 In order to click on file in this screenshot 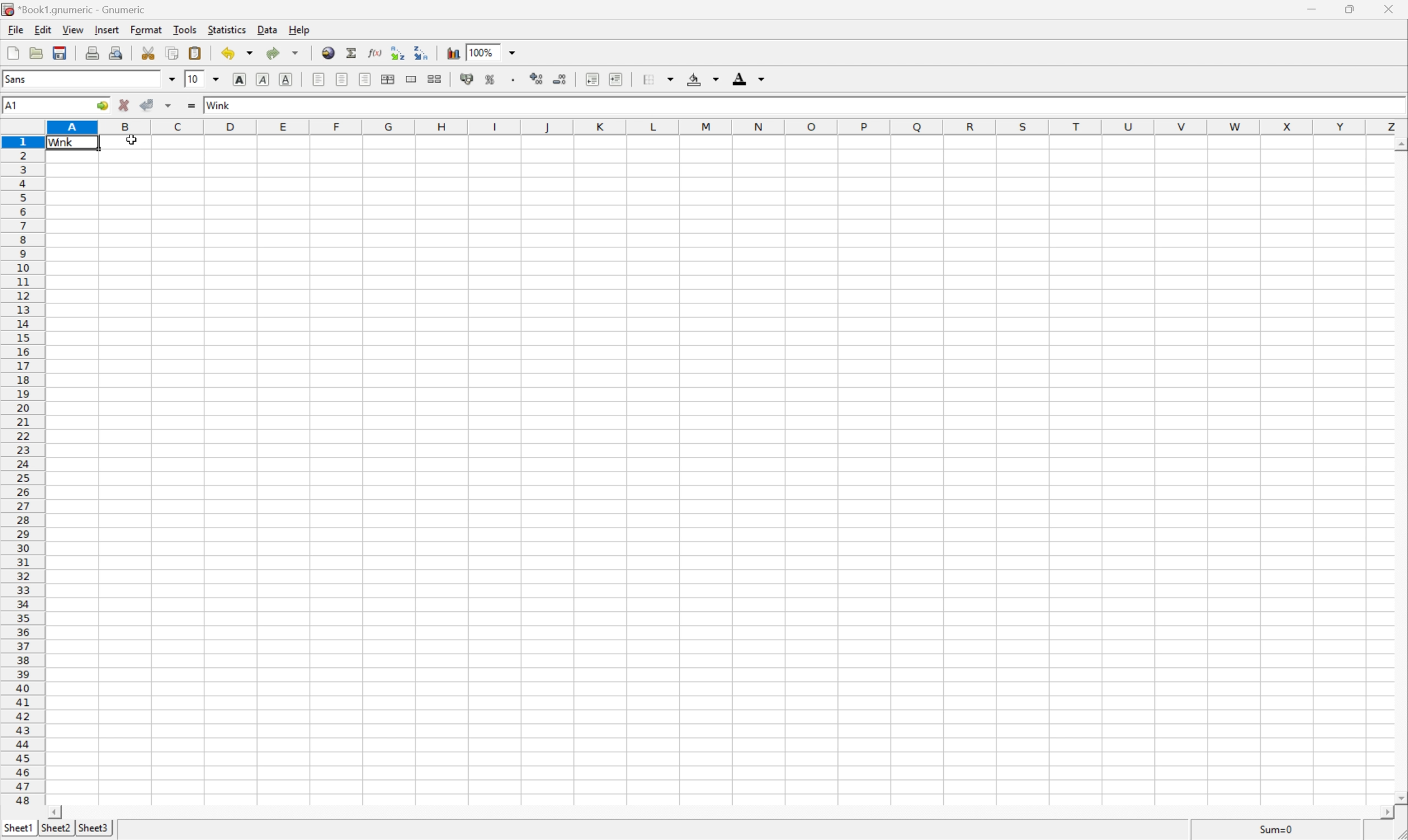, I will do `click(15, 29)`.